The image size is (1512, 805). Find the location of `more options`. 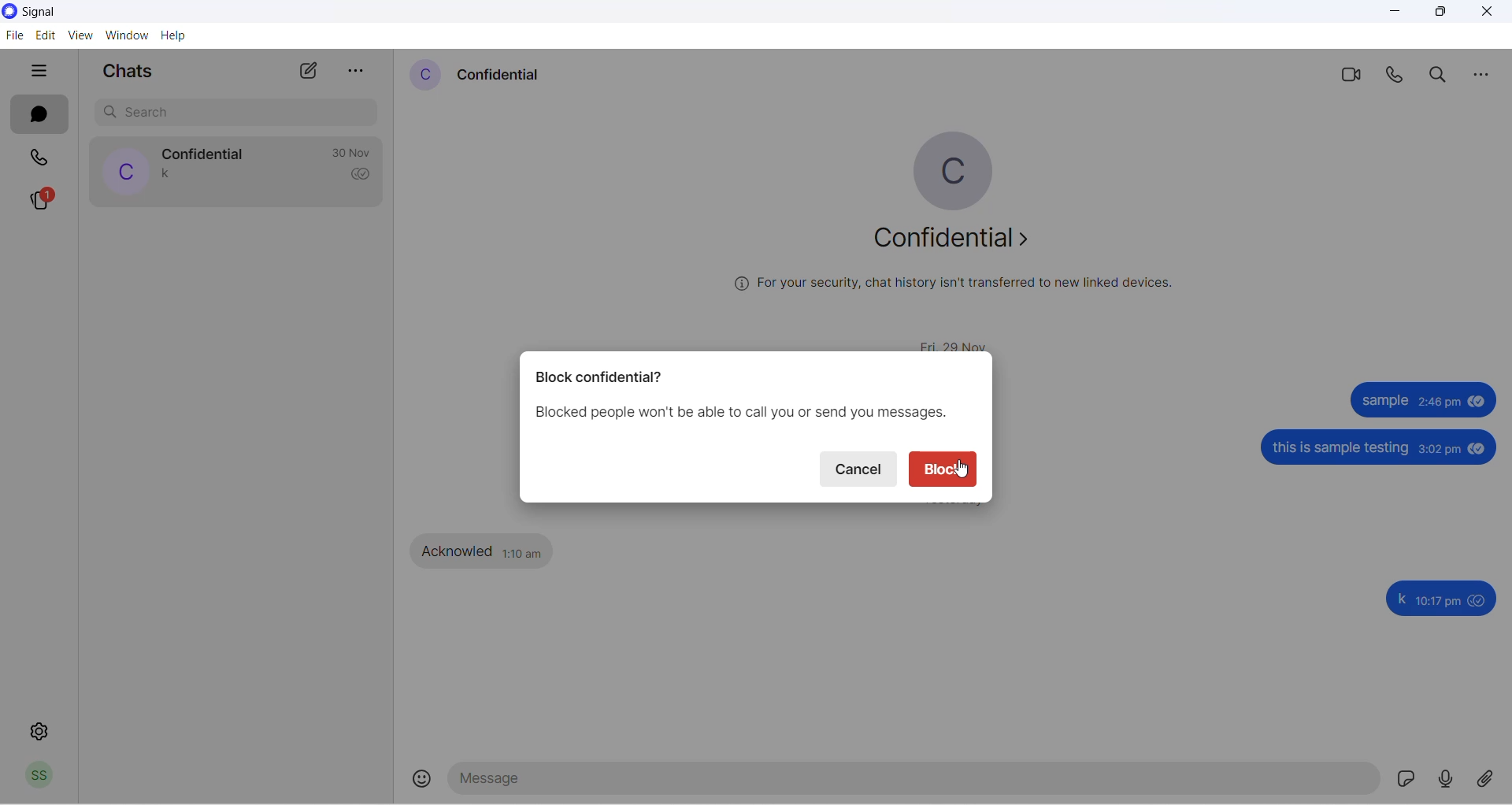

more options is located at coordinates (360, 67).